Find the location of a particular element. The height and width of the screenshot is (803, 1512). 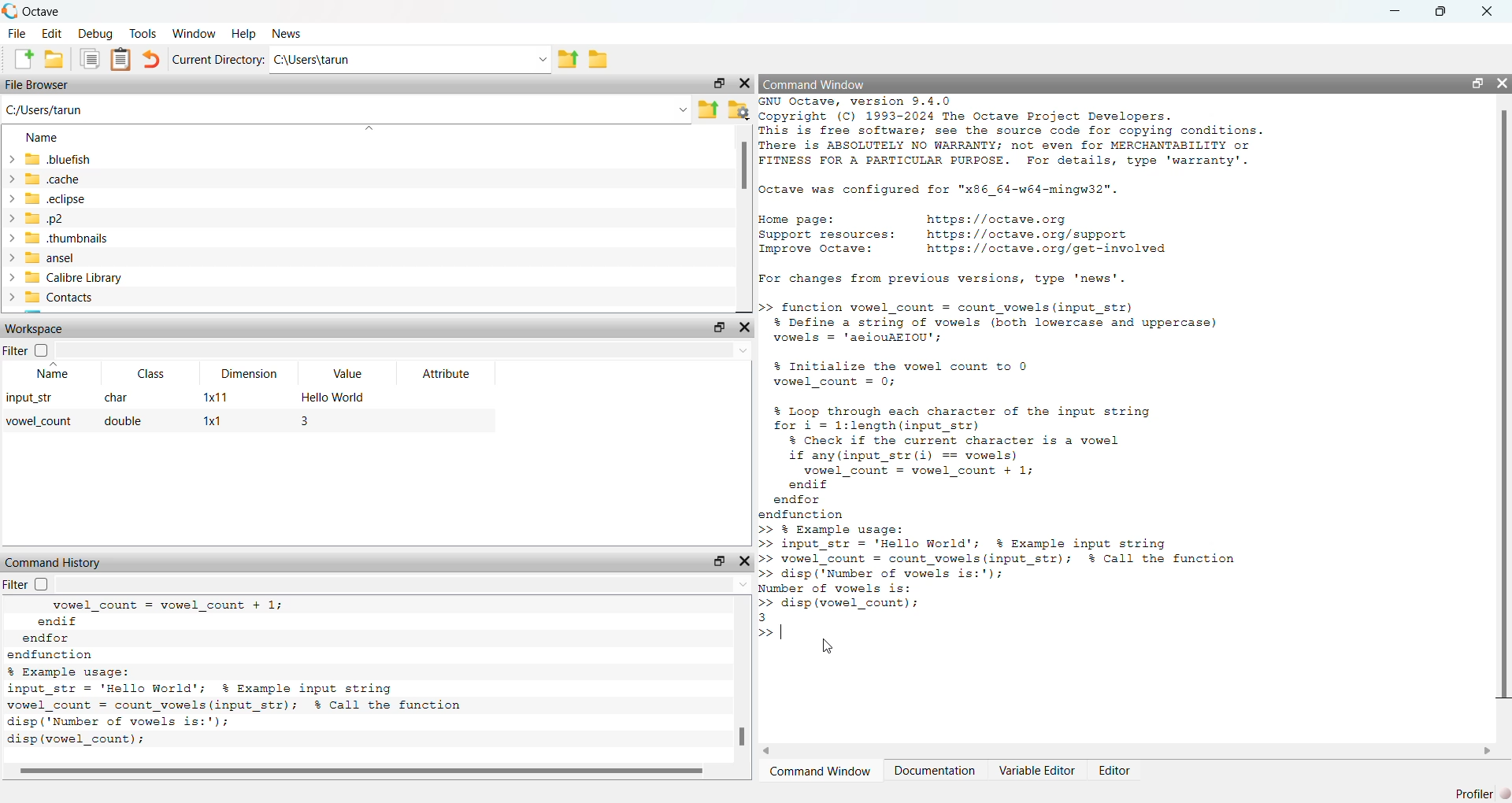

Help is located at coordinates (243, 33).